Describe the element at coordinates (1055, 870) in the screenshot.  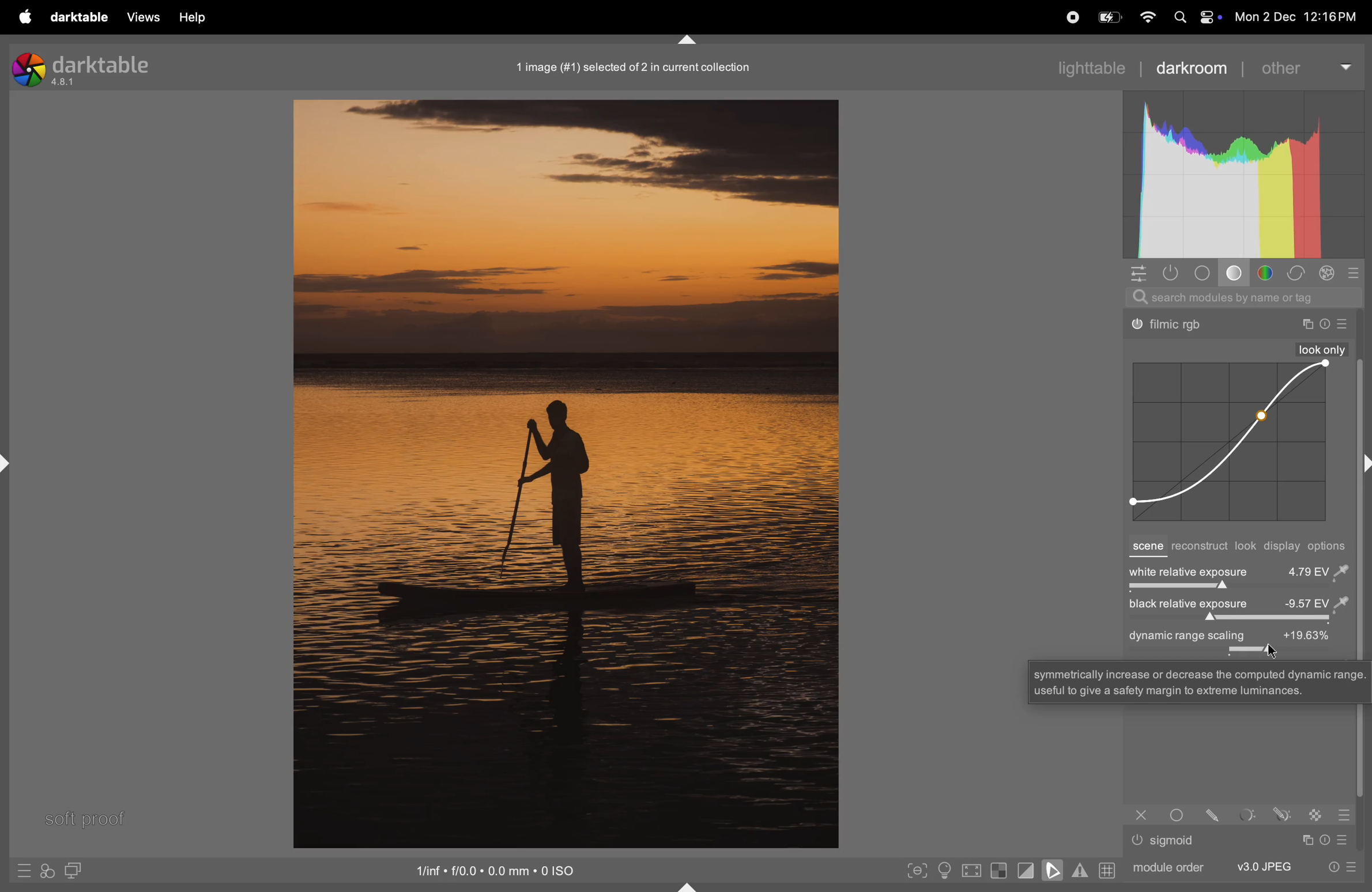
I see `soft proofing` at that location.